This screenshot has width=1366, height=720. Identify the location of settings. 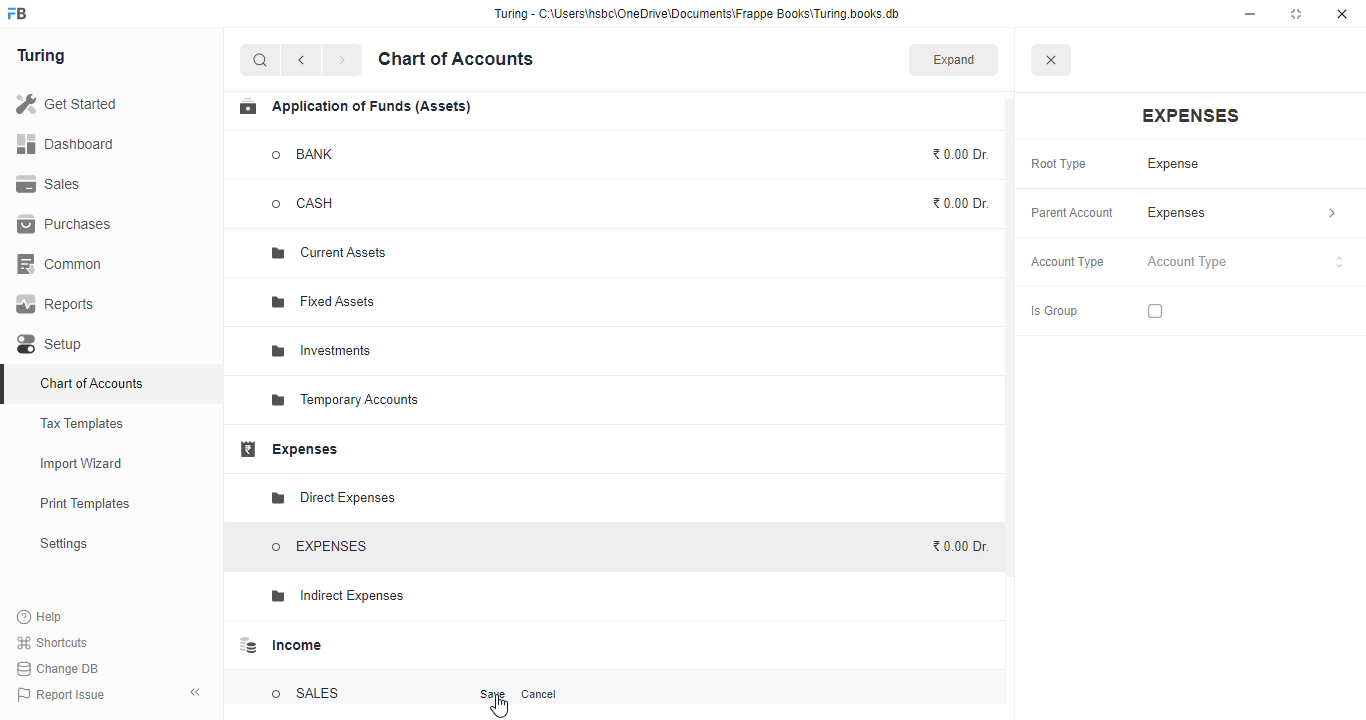
(63, 543).